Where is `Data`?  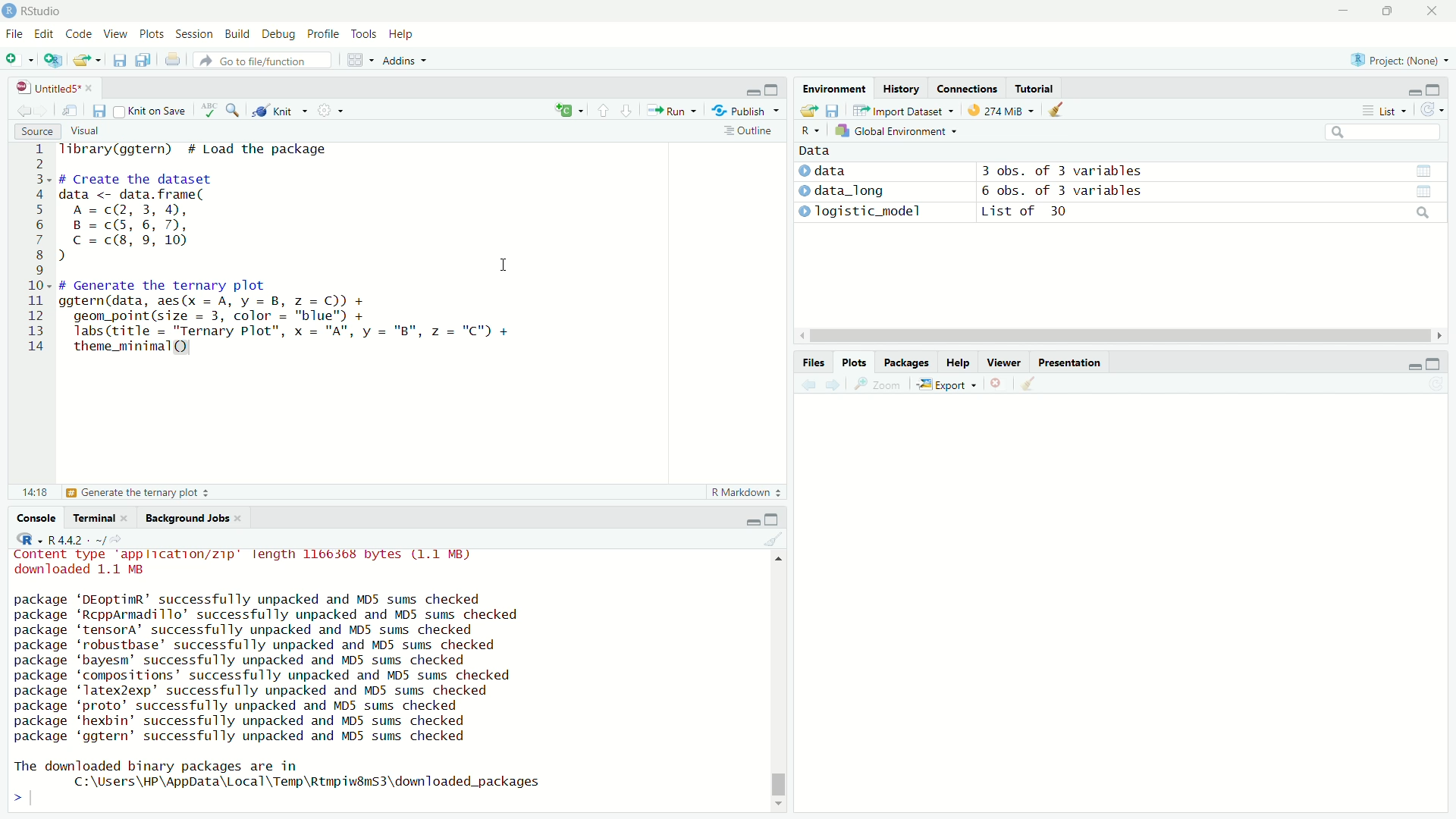
Data is located at coordinates (812, 149).